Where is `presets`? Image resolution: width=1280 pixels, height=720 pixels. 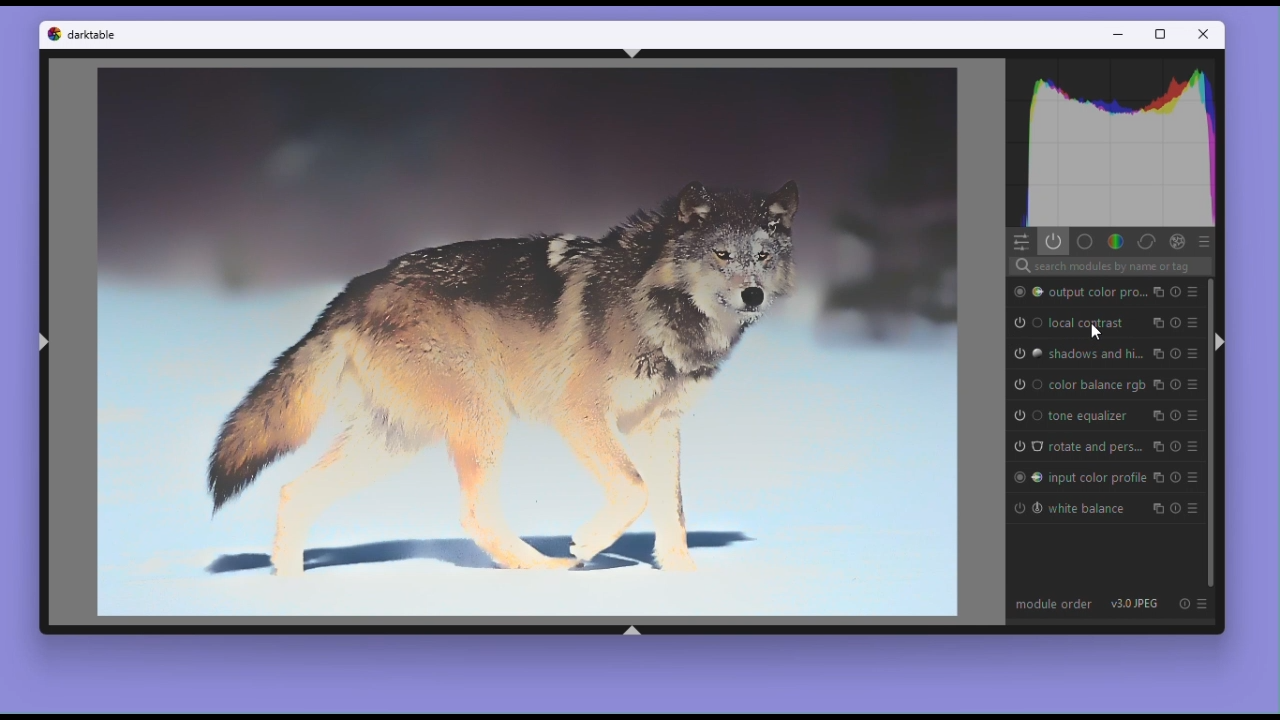
presets is located at coordinates (1192, 477).